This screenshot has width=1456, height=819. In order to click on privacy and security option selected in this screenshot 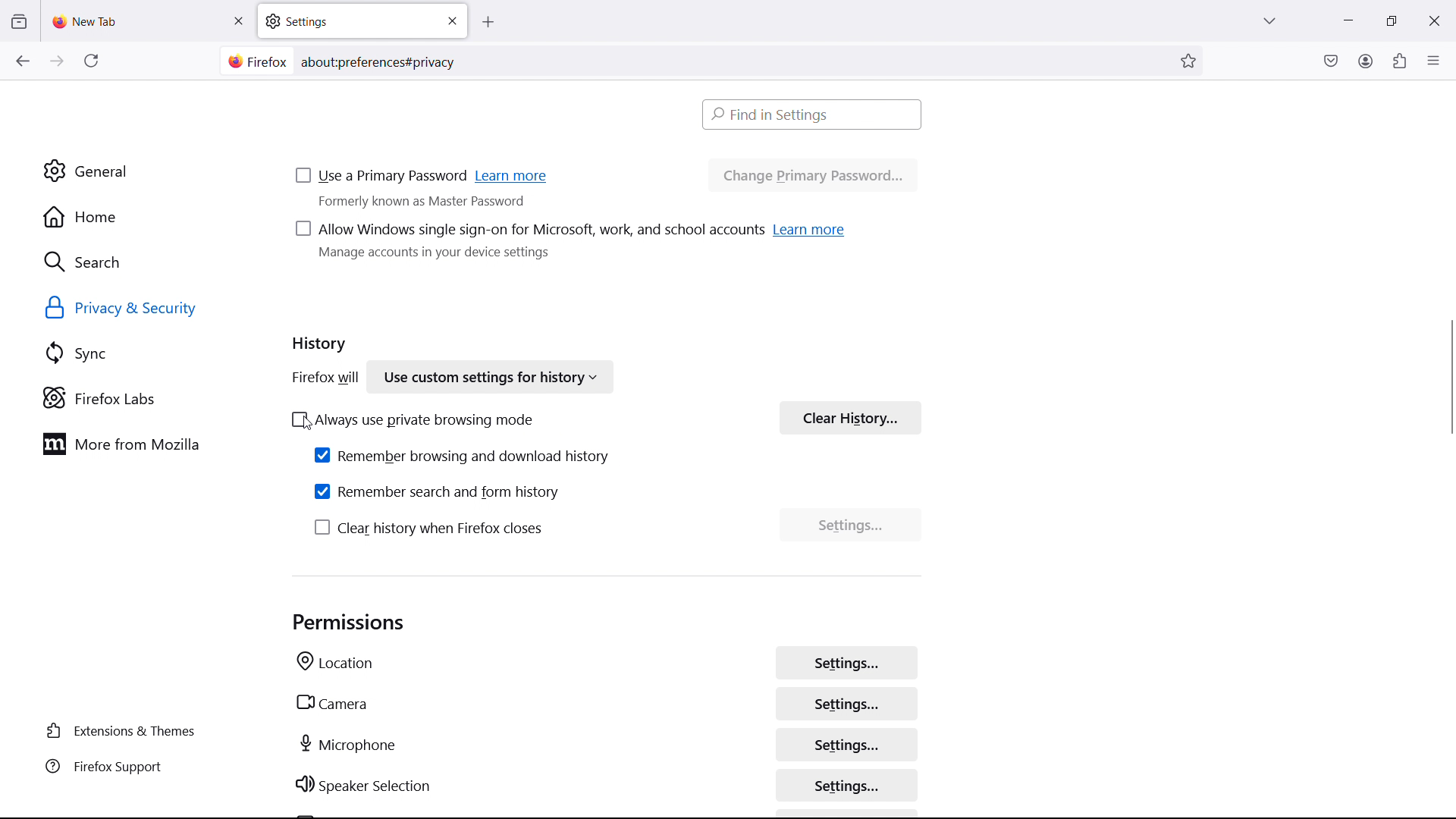, I will do `click(139, 309)`.